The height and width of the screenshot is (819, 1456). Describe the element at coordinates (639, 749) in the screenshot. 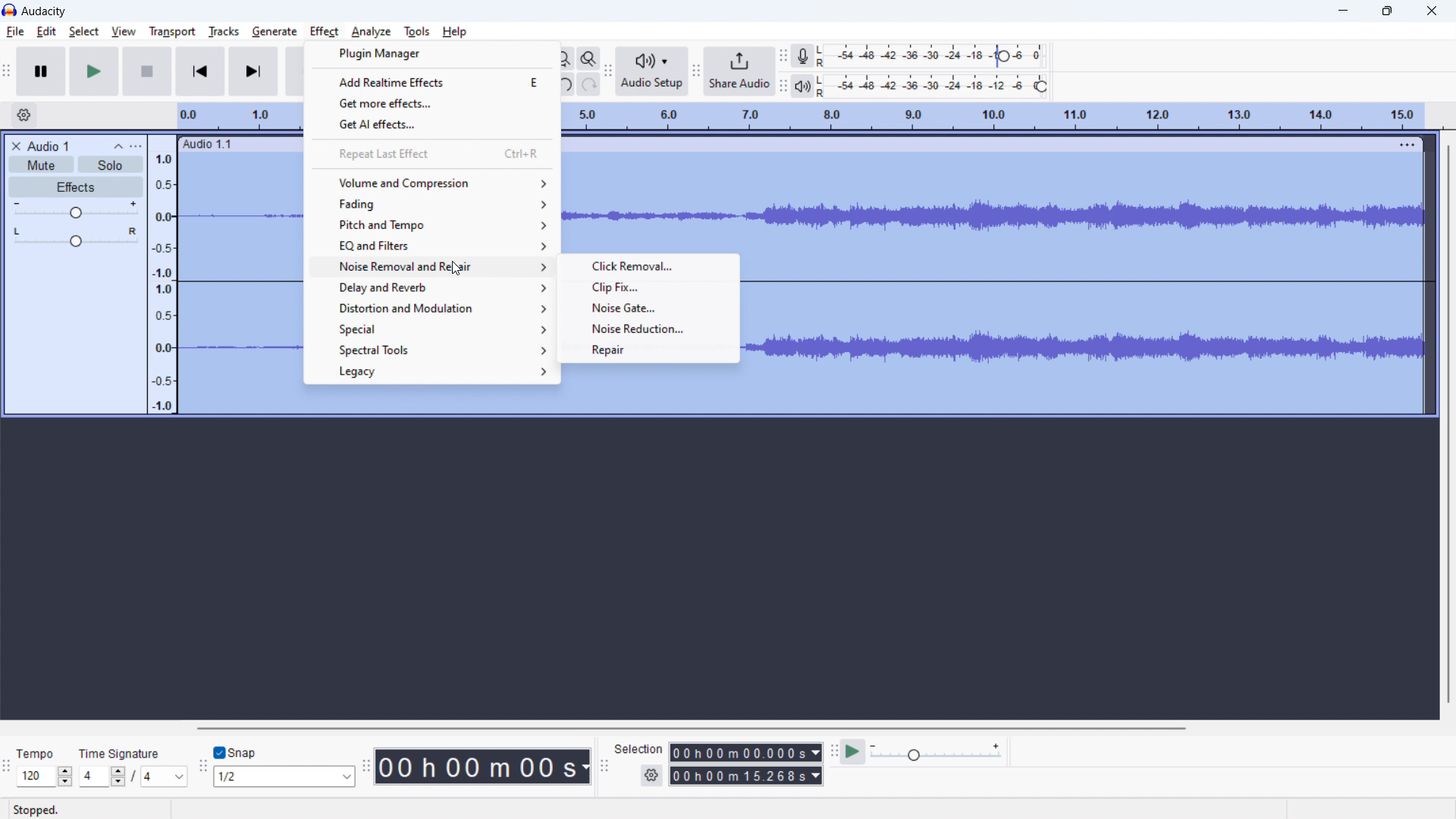

I see `Selection` at that location.